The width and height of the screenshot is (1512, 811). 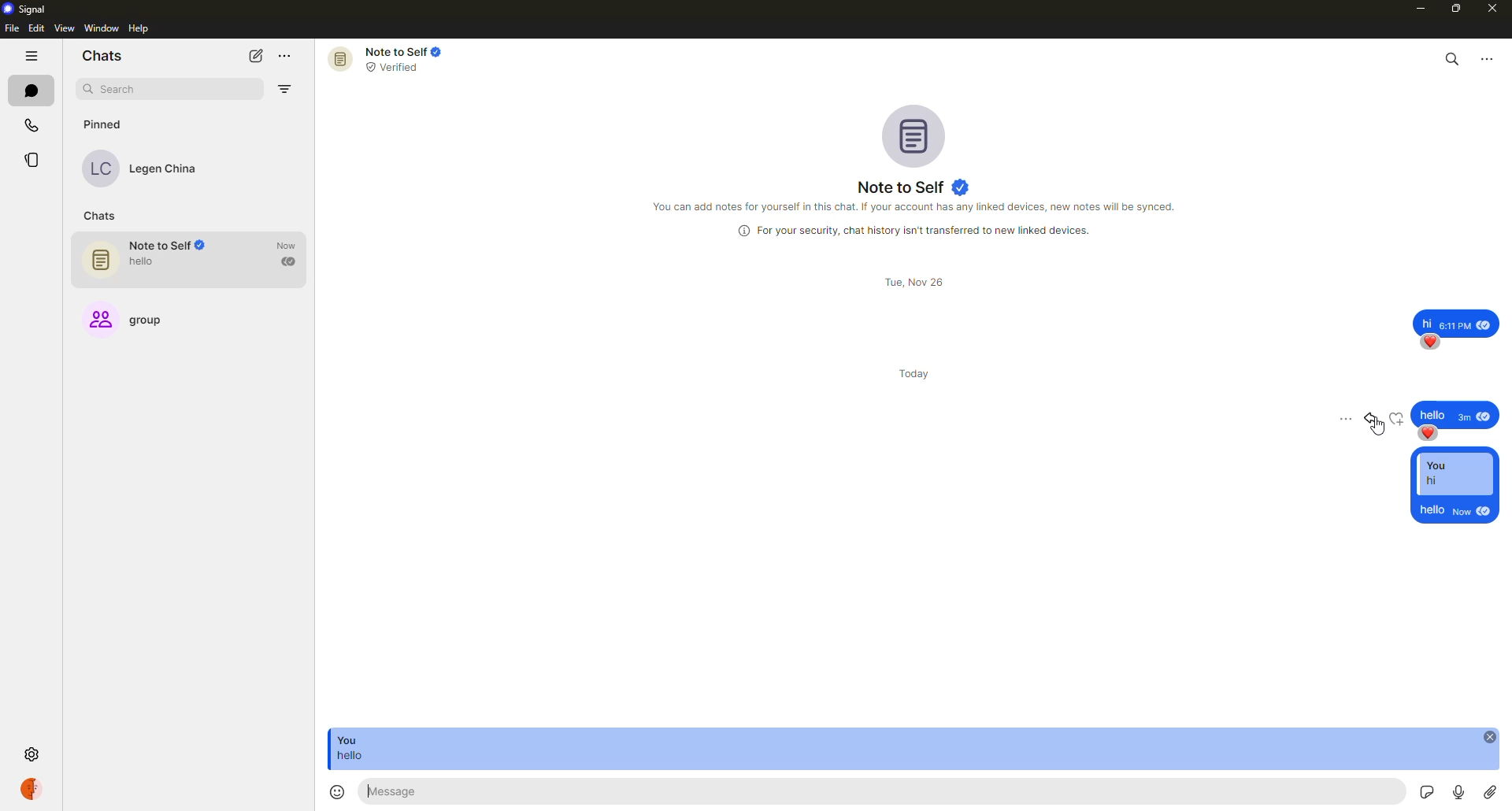 I want to click on day, so click(x=920, y=372).